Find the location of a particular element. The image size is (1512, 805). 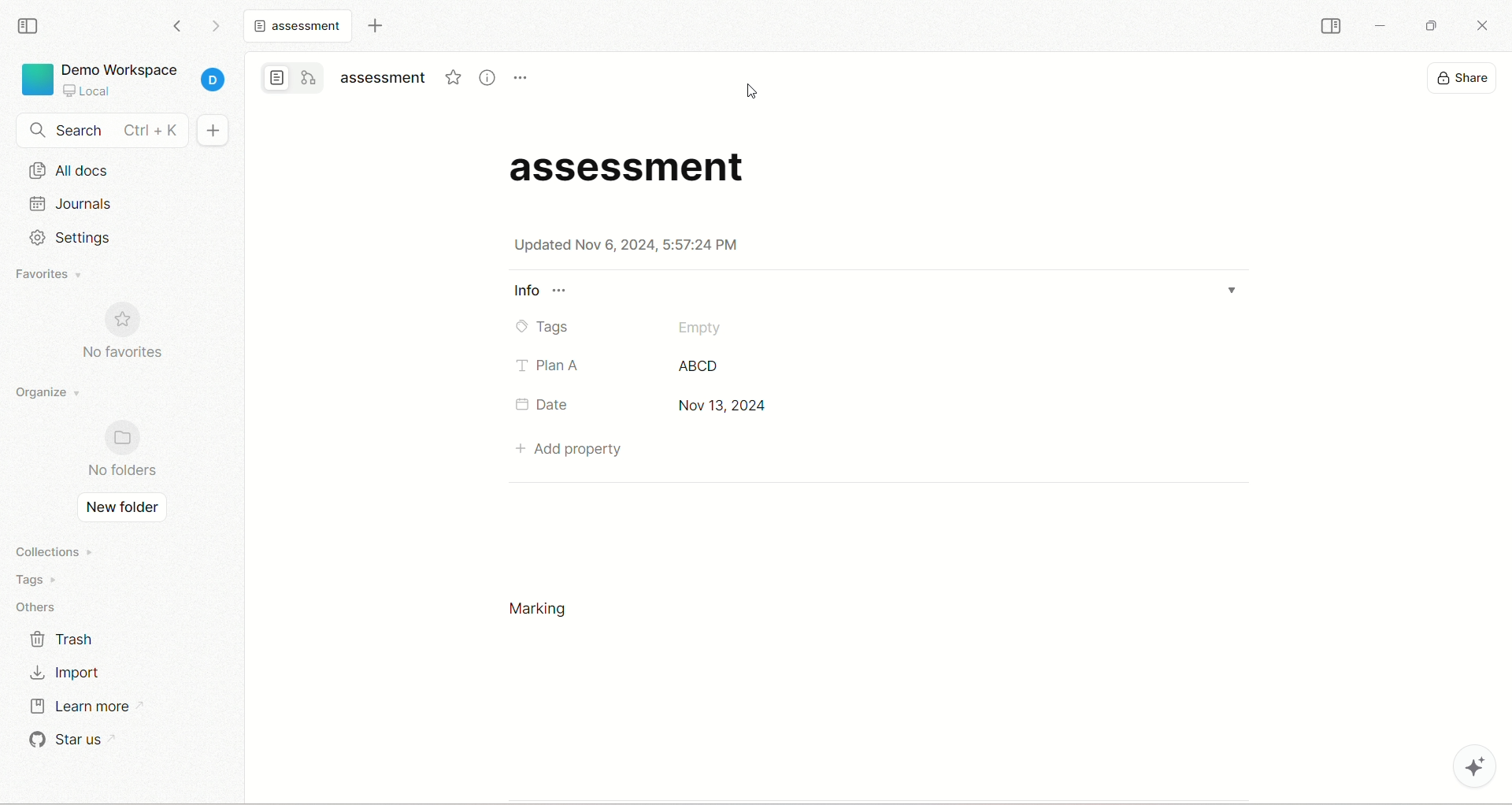

assessment is located at coordinates (635, 168).